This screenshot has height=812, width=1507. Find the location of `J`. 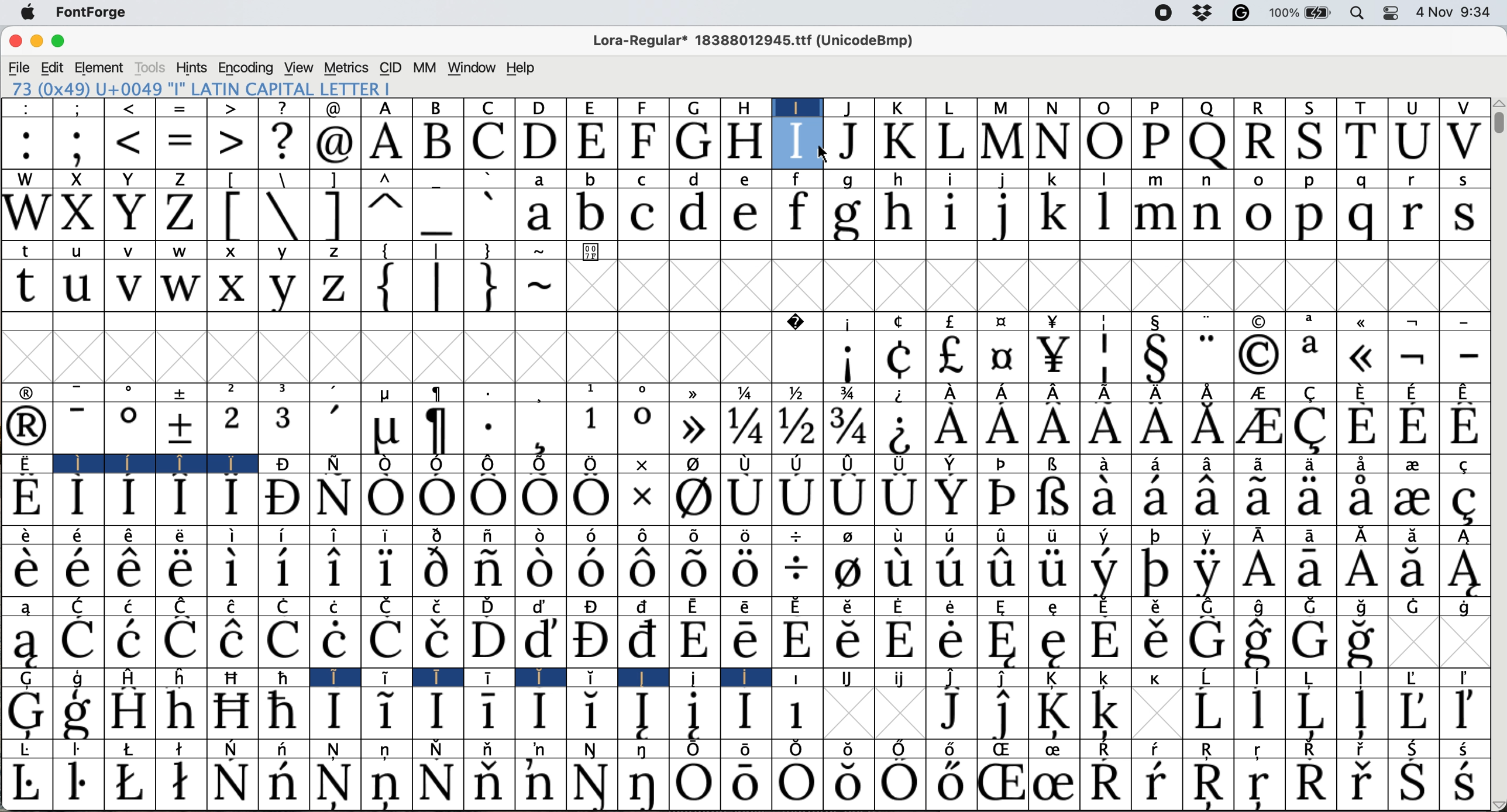

J is located at coordinates (853, 144).